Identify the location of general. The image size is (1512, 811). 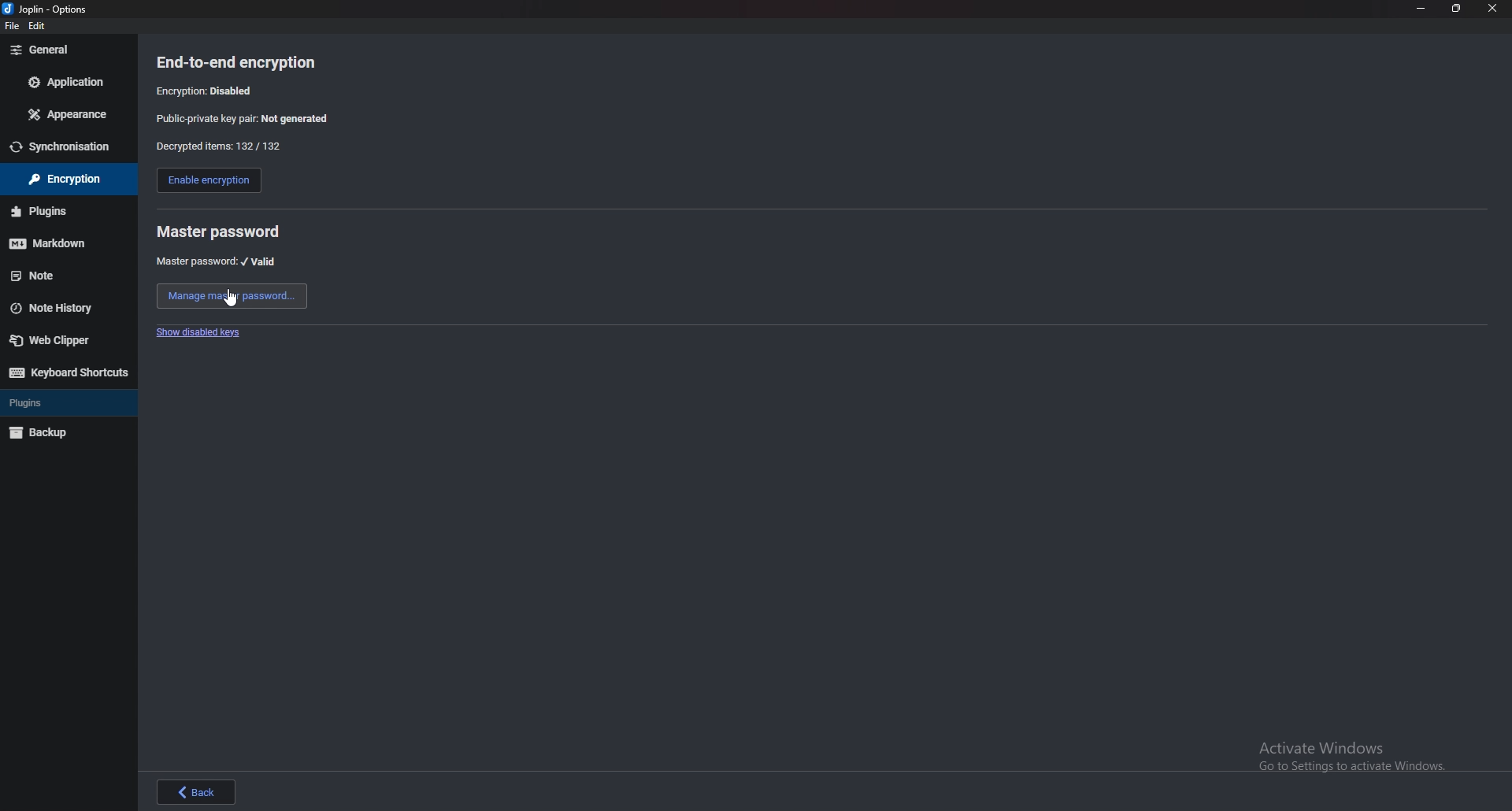
(66, 50).